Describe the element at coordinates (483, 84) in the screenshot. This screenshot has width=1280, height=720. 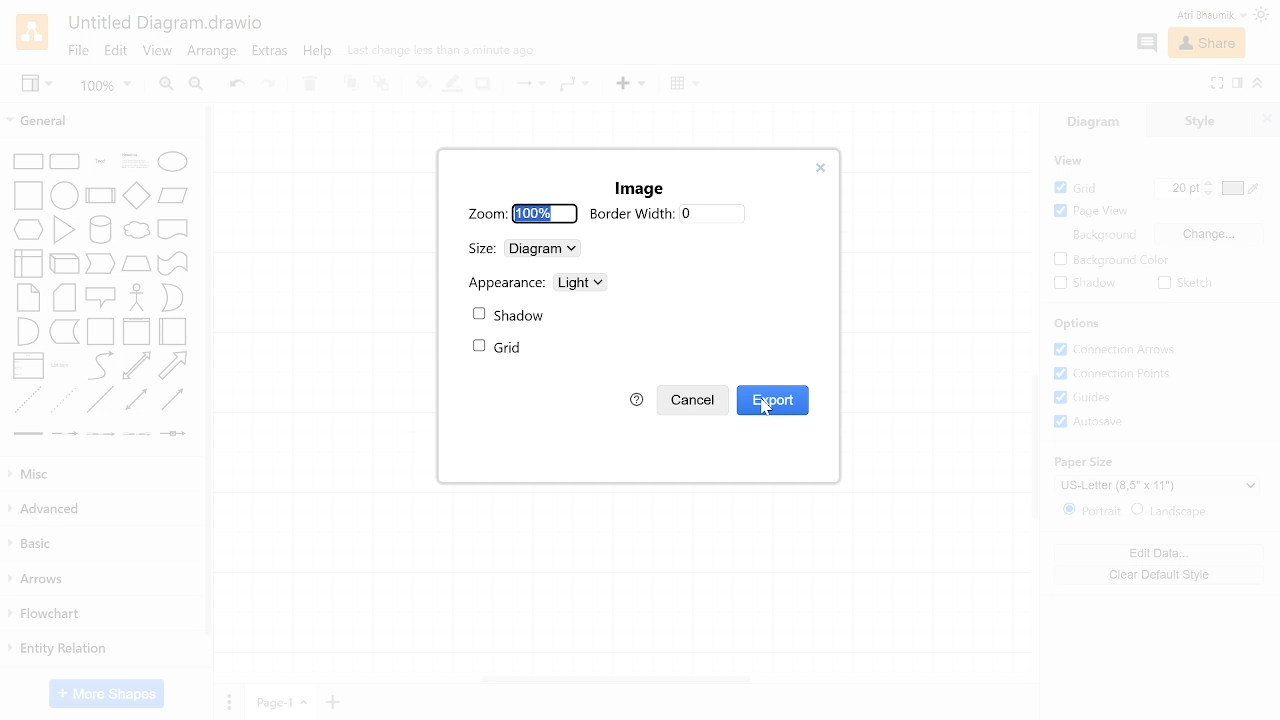
I see `Shadow` at that location.